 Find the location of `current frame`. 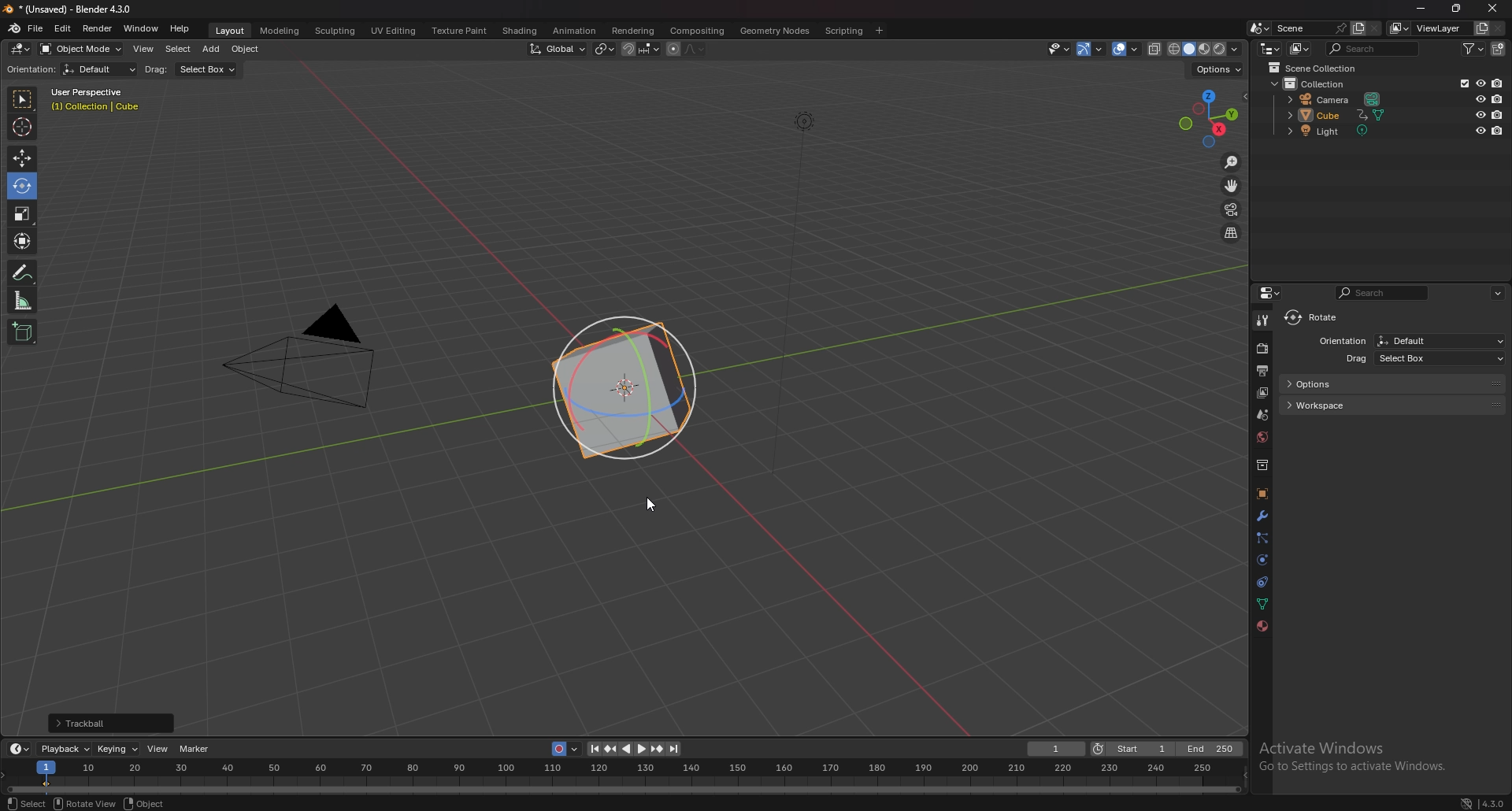

current frame is located at coordinates (1056, 749).